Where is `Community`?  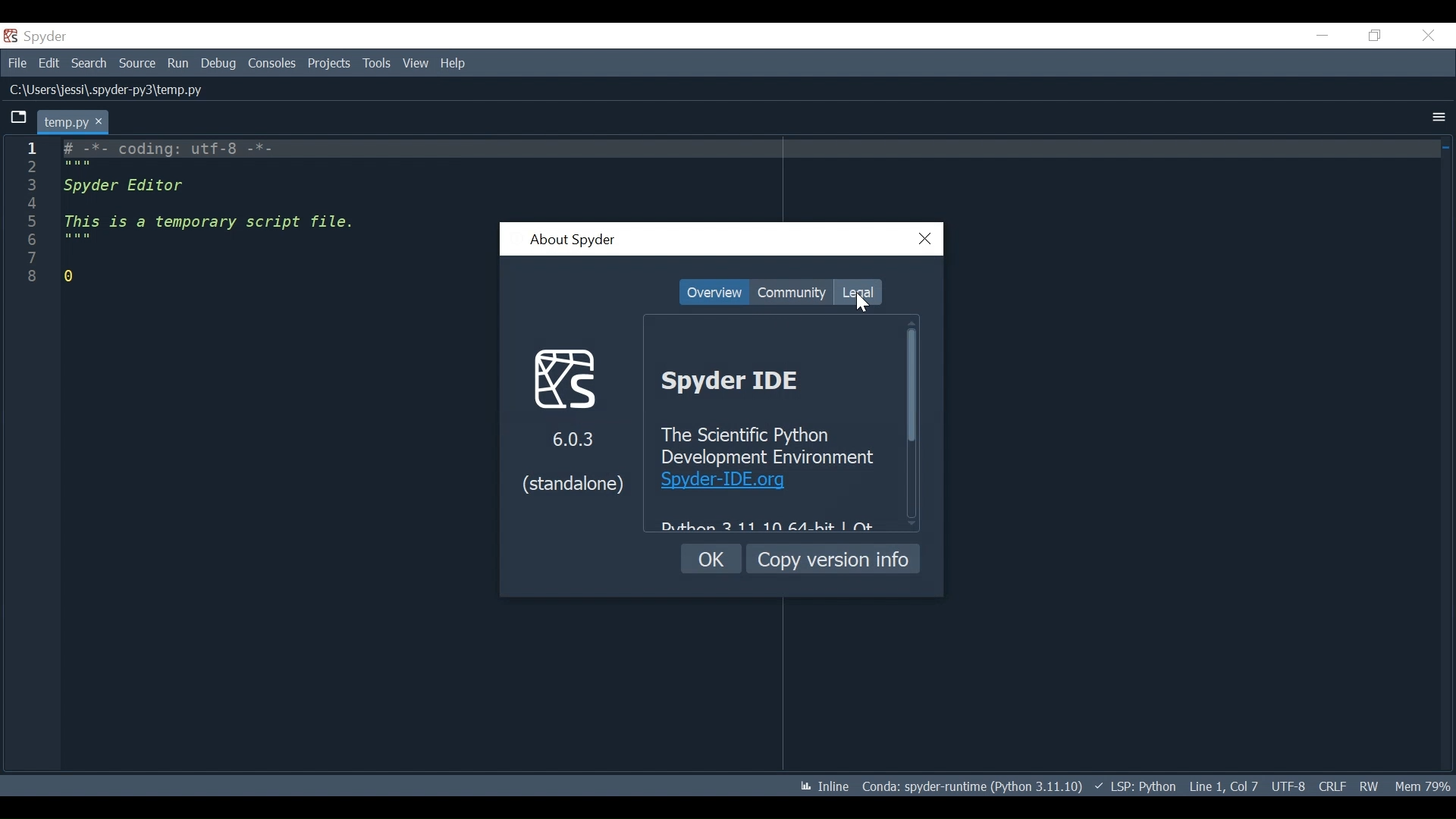
Community is located at coordinates (791, 292).